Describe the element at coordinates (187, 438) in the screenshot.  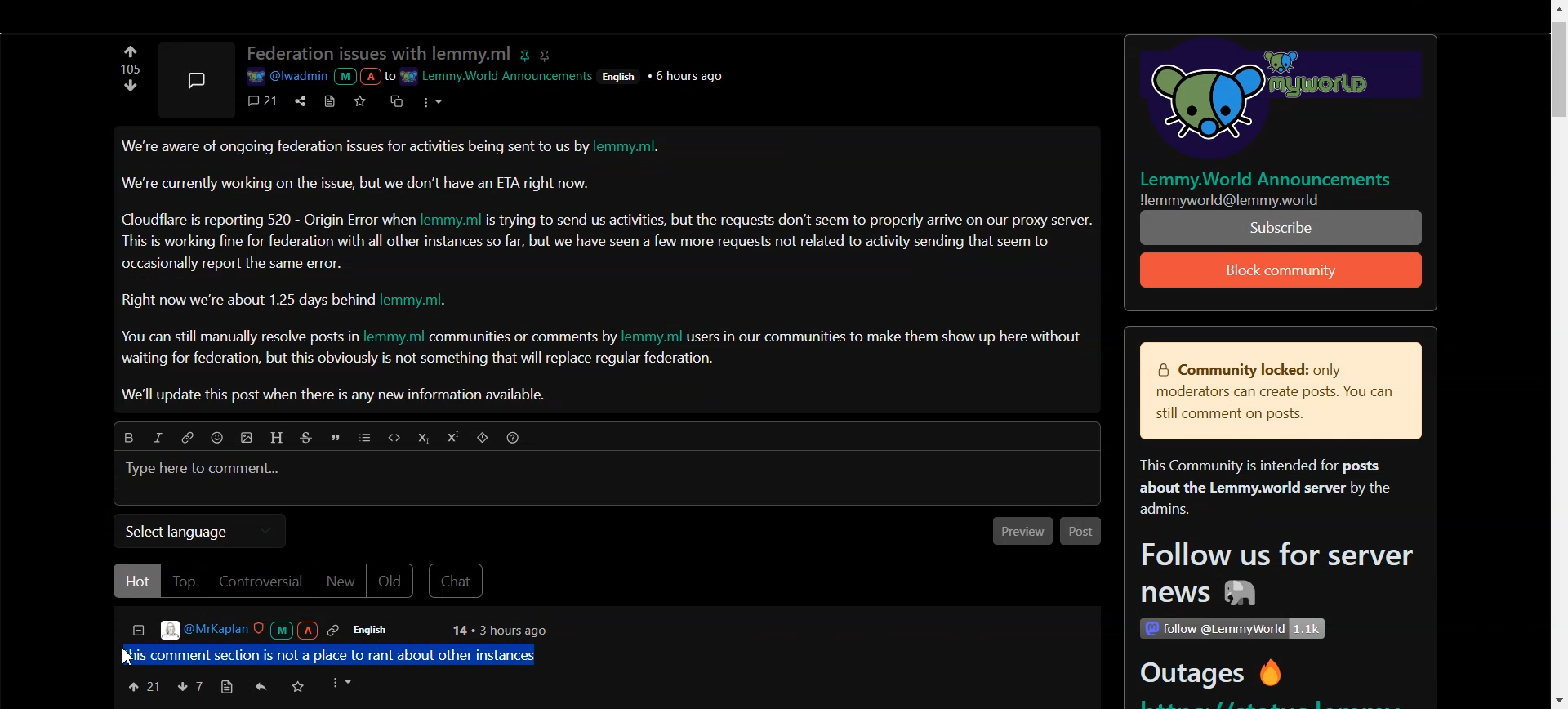
I see `Hyperlink` at that location.